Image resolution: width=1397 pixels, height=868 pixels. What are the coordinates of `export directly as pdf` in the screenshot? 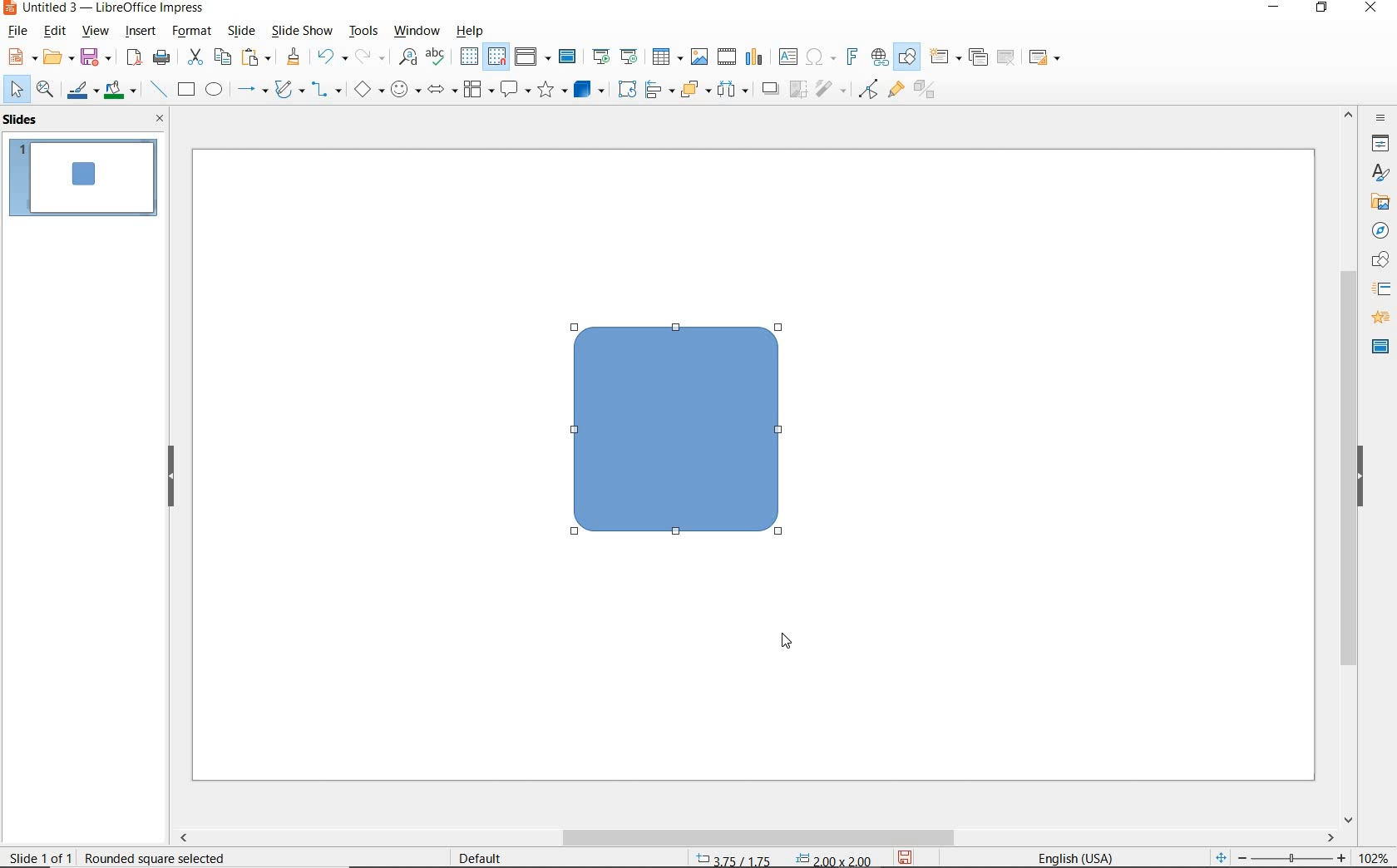 It's located at (135, 58).